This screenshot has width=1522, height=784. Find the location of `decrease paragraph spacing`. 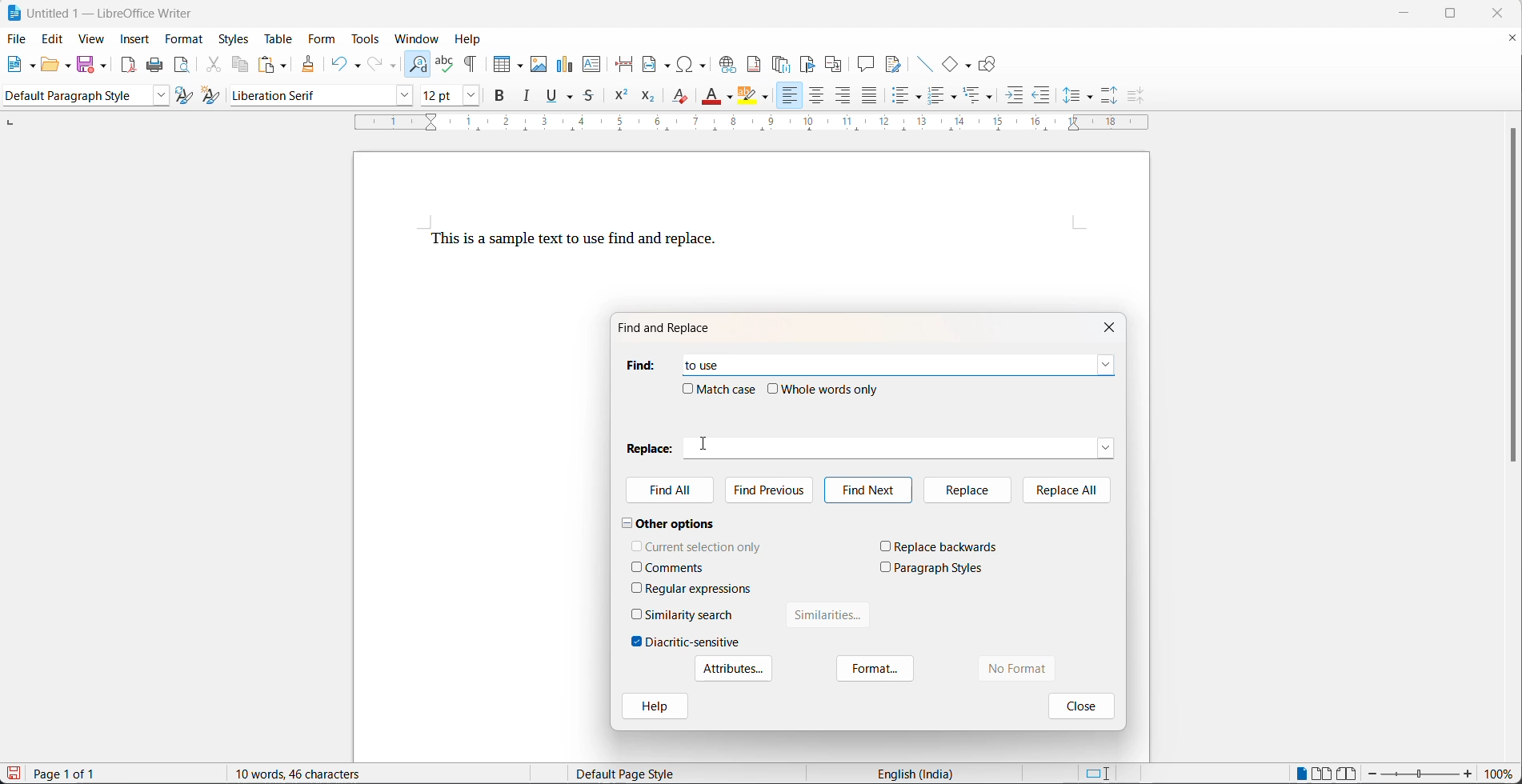

decrease paragraph spacing is located at coordinates (1133, 96).